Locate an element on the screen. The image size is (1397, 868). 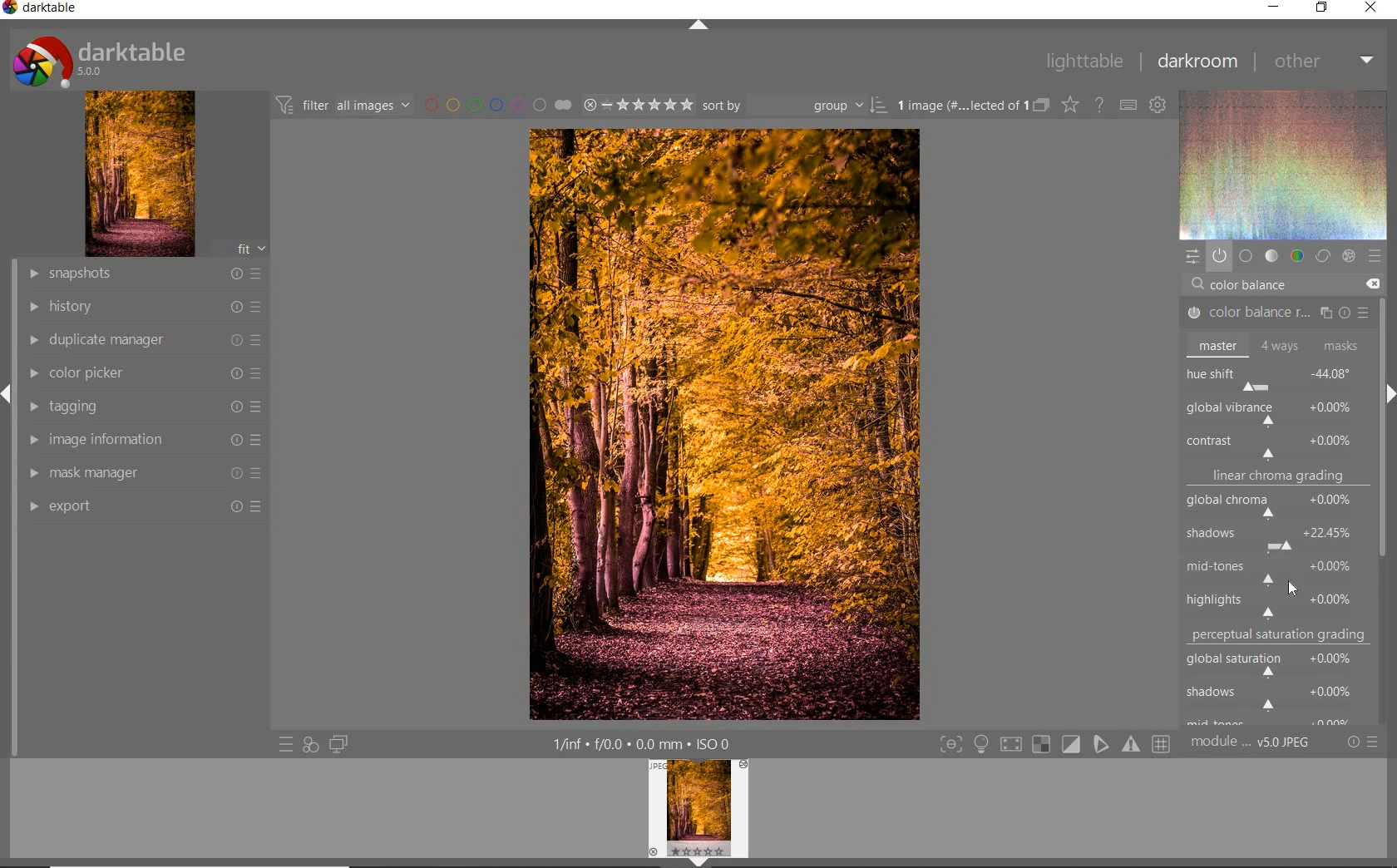
change type of overlay is located at coordinates (1069, 106).